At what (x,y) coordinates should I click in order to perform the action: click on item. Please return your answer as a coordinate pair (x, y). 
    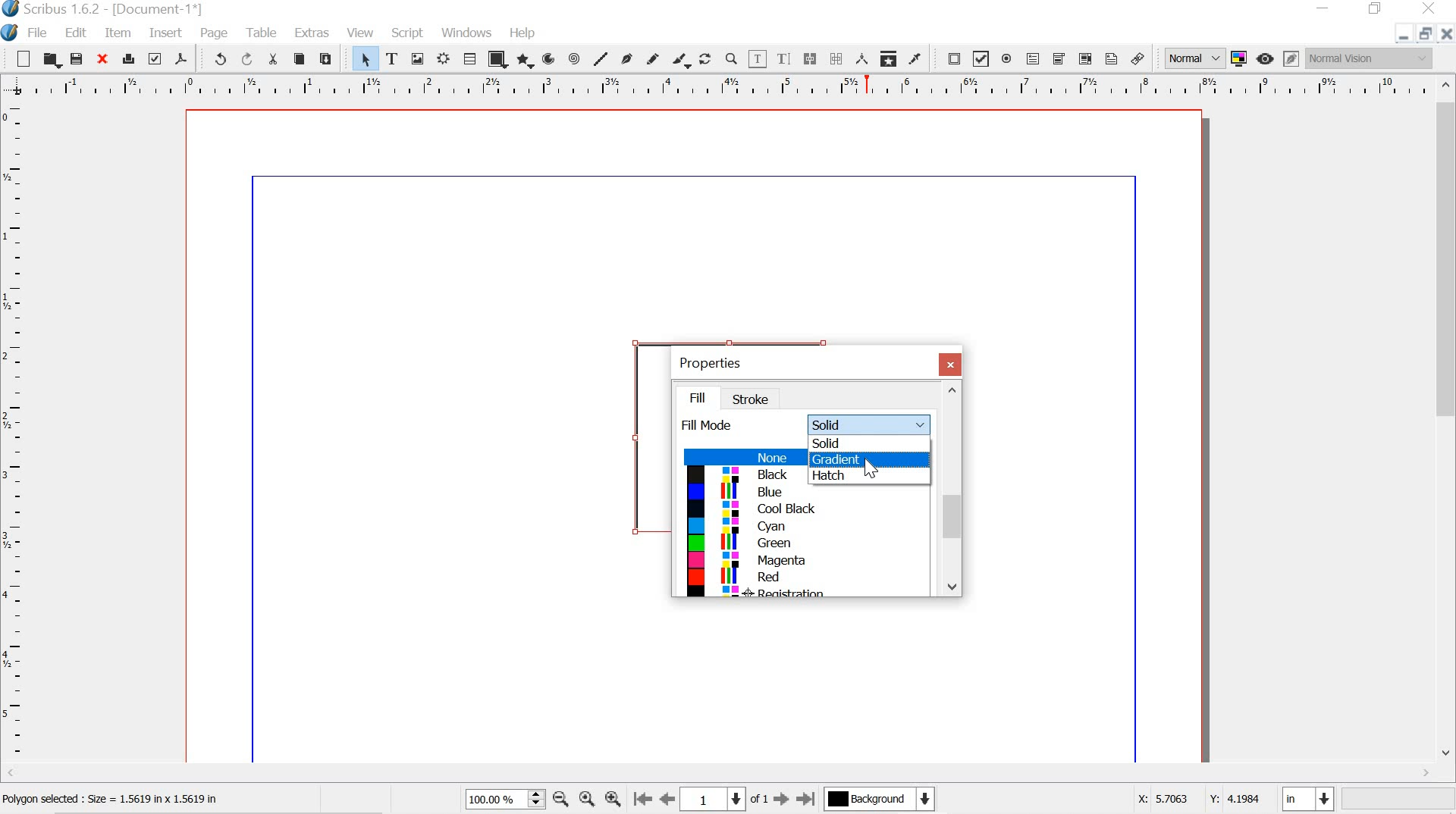
    Looking at the image, I should click on (118, 33).